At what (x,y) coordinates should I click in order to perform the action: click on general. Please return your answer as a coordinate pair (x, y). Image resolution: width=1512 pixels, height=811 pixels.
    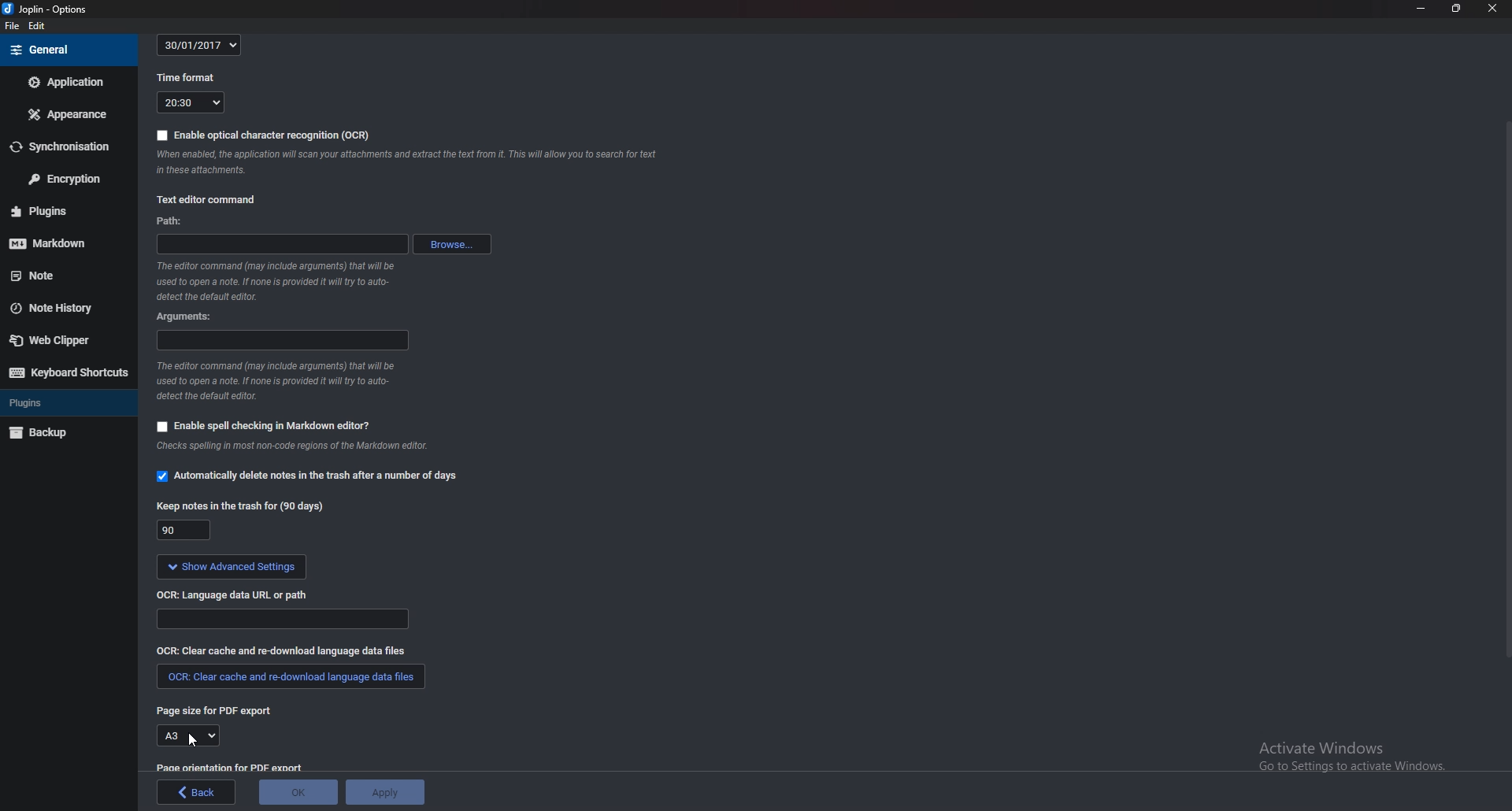
    Looking at the image, I should click on (68, 49).